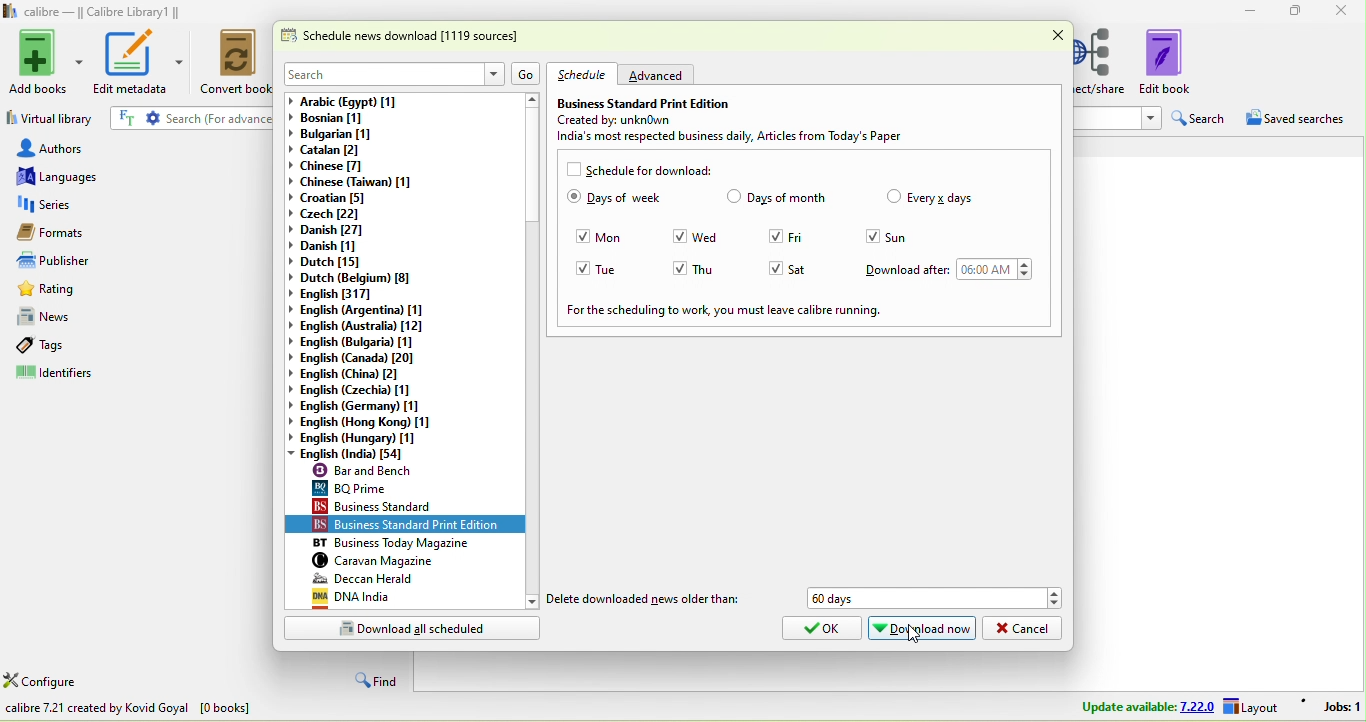 The height and width of the screenshot is (722, 1366). I want to click on calibre- calibre library 1, so click(103, 13).